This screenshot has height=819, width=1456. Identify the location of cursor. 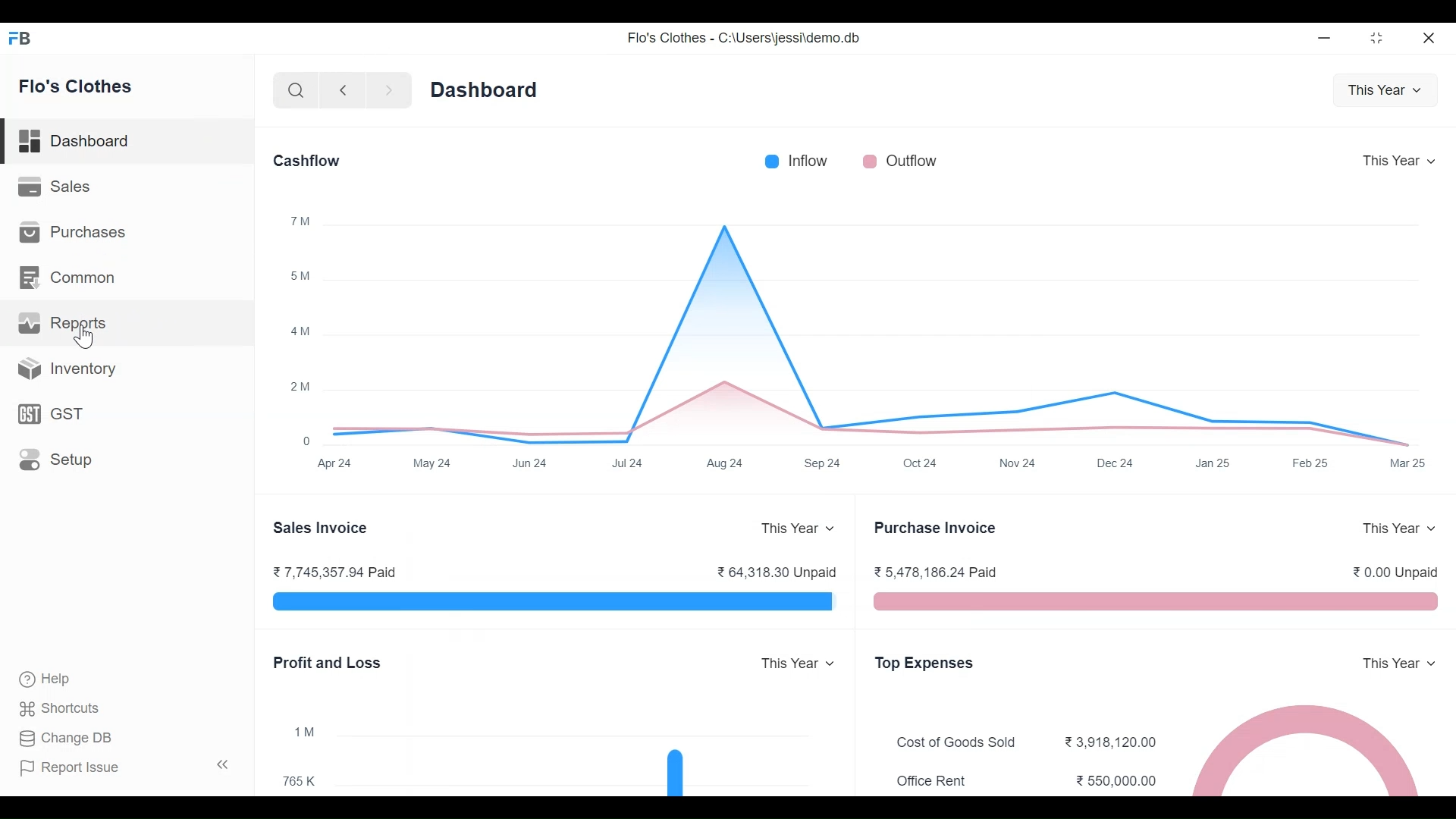
(86, 337).